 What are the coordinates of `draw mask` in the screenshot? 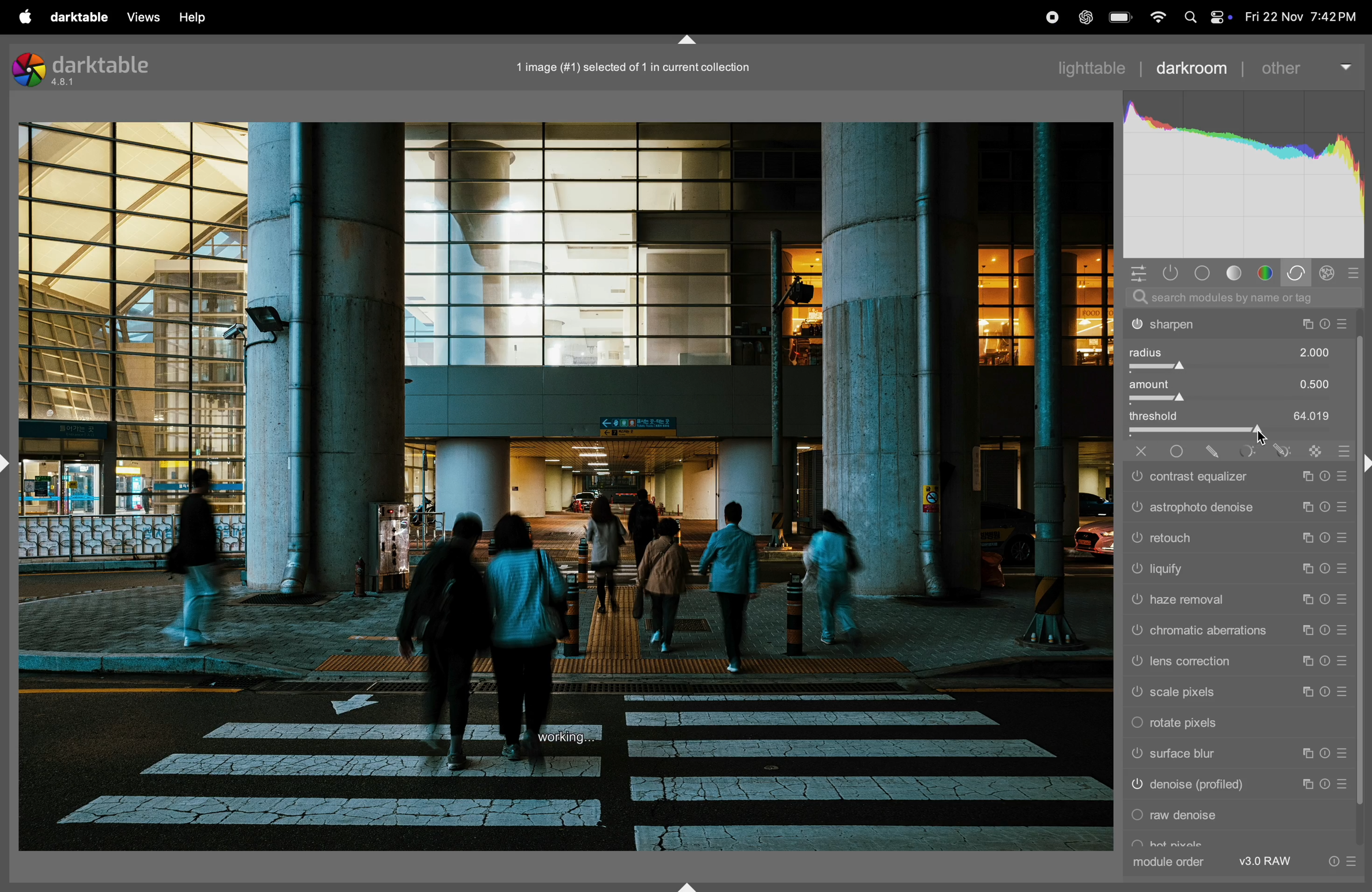 It's located at (1212, 451).